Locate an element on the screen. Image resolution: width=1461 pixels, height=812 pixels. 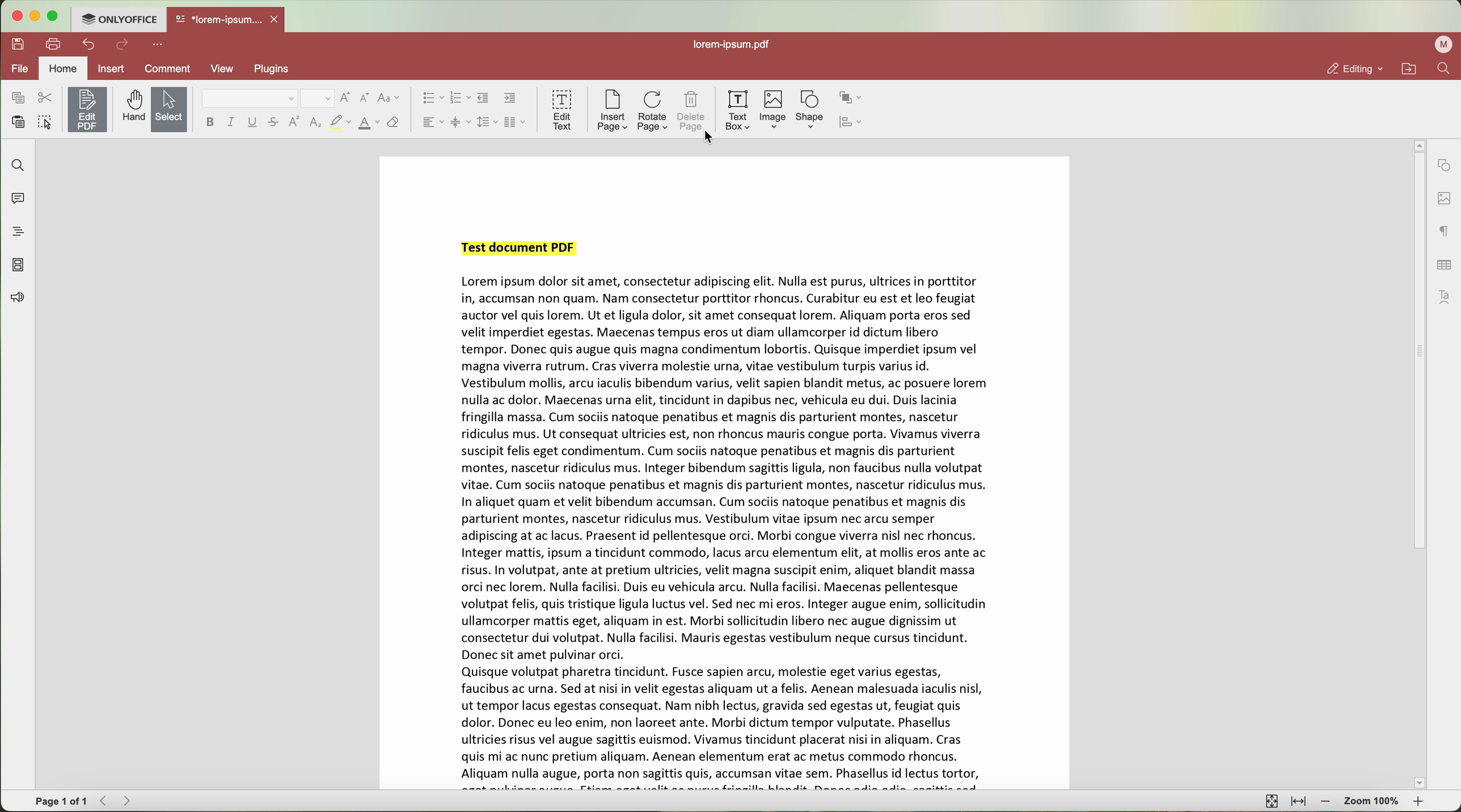
paragraph settings is located at coordinates (1443, 234).